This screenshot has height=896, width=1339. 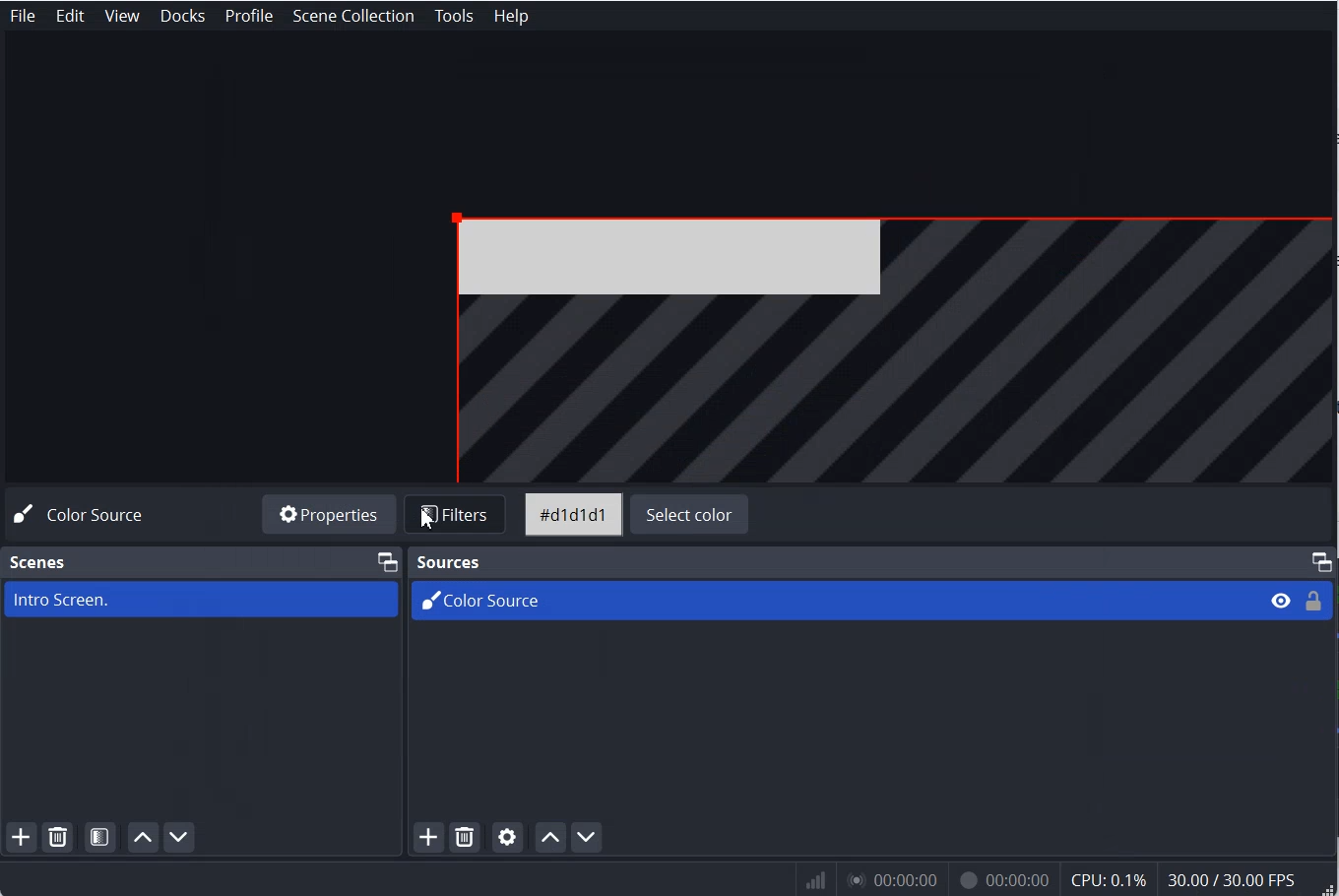 I want to click on Move Source Down, so click(x=587, y=837).